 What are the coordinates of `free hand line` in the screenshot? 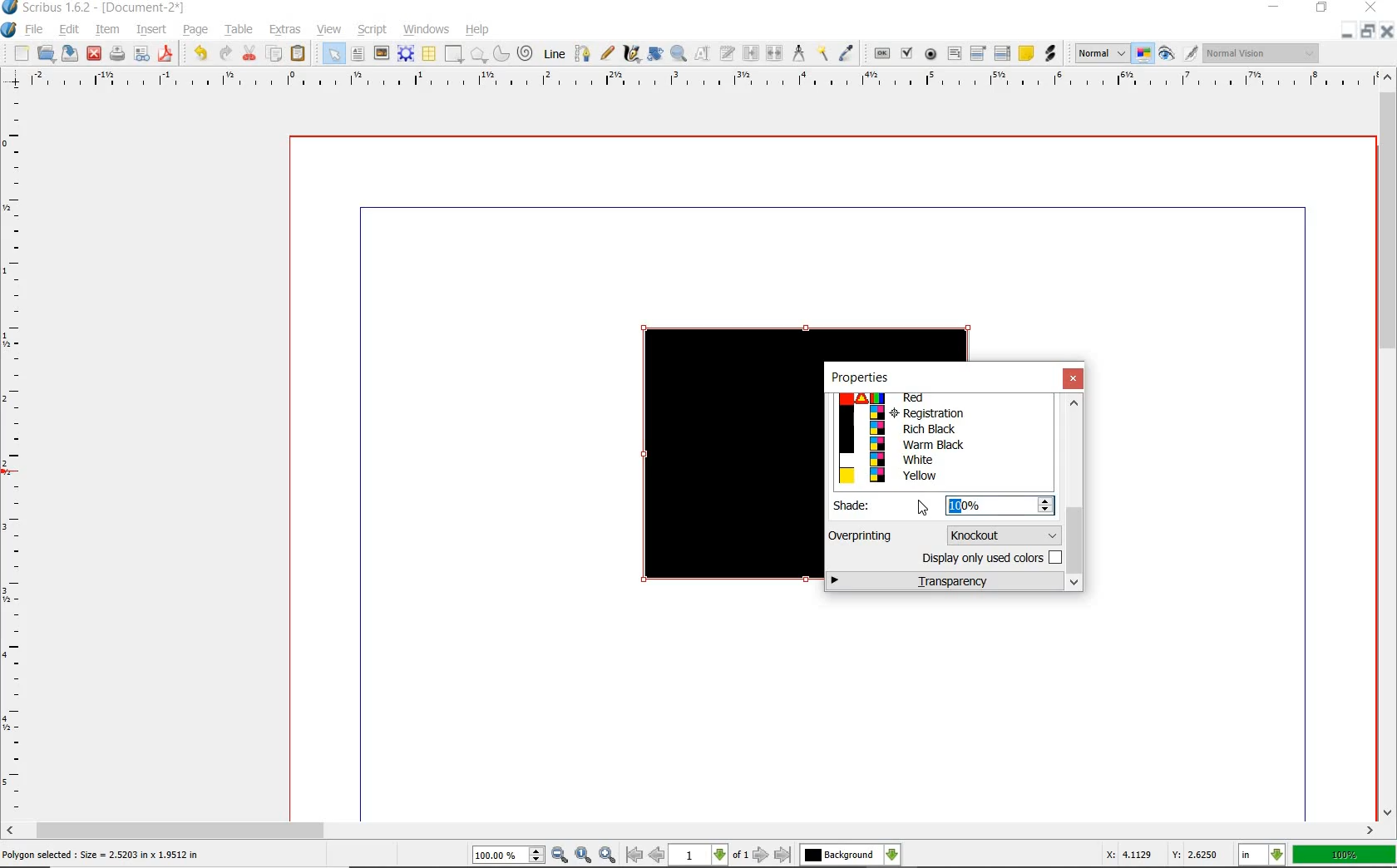 It's located at (607, 52).